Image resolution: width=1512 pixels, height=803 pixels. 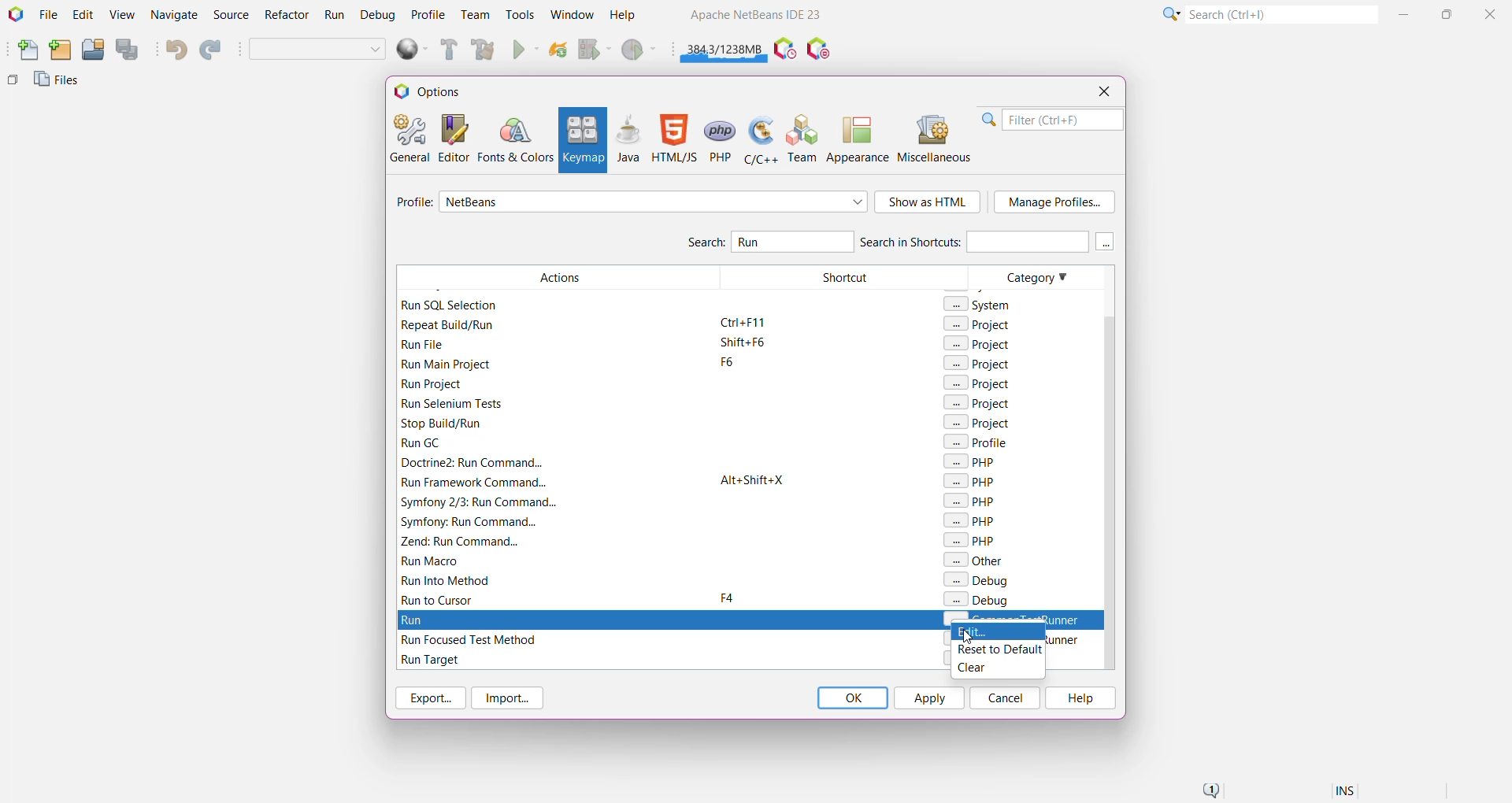 What do you see at coordinates (128, 50) in the screenshot?
I see `Save All` at bounding box center [128, 50].